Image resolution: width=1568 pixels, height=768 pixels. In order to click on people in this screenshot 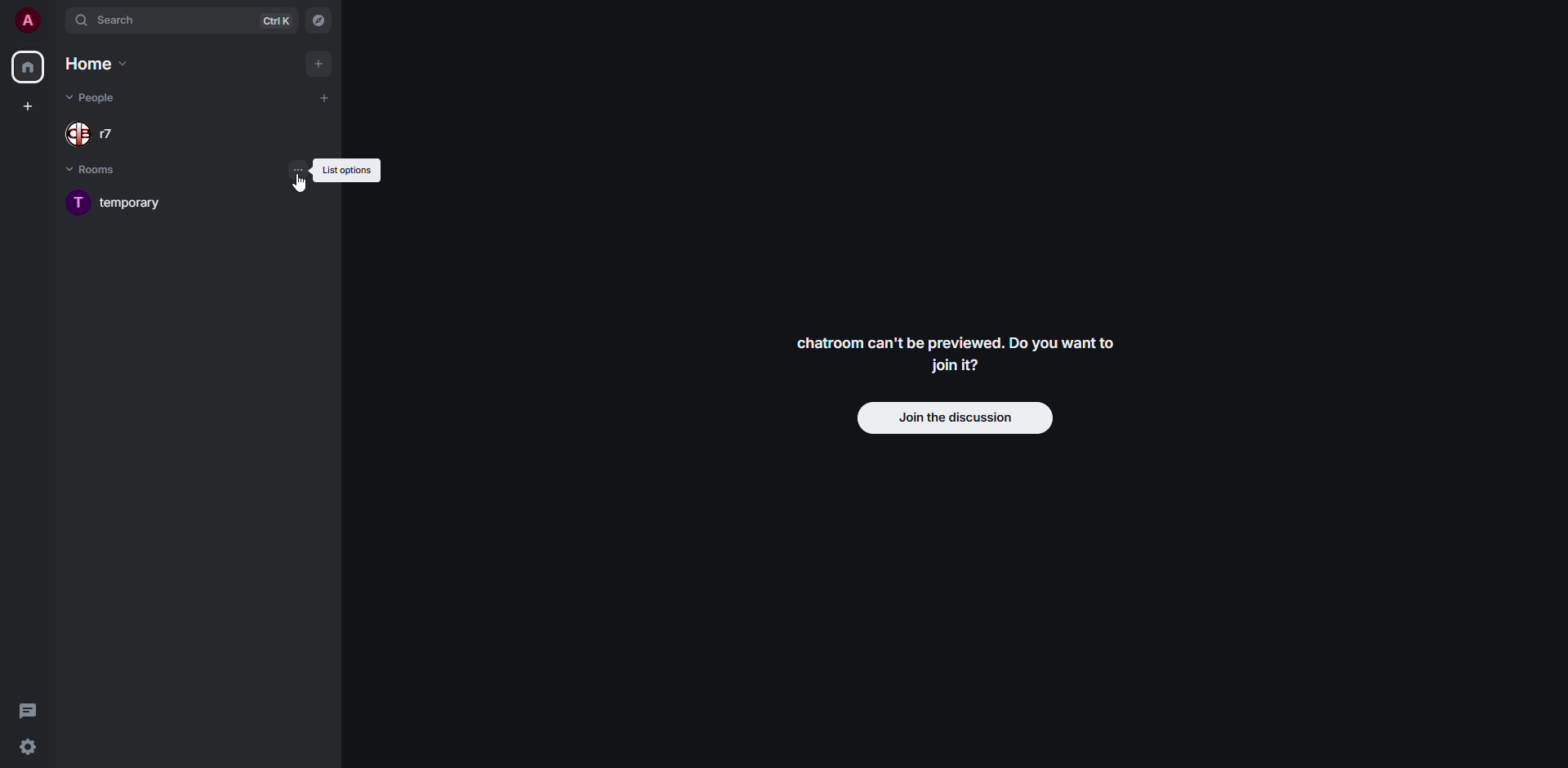, I will do `click(98, 132)`.